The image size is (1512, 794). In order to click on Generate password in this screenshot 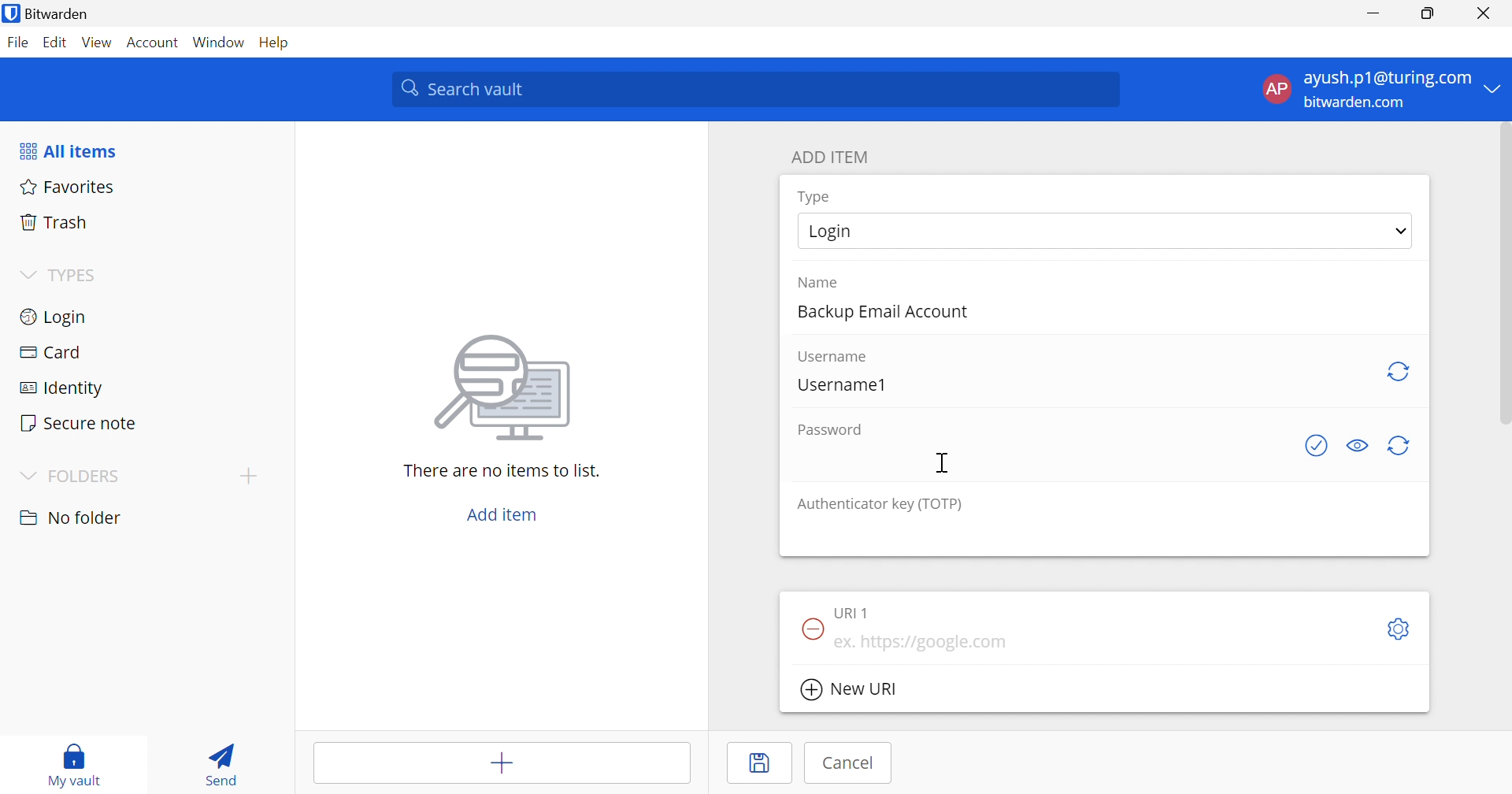, I will do `click(1403, 447)`.